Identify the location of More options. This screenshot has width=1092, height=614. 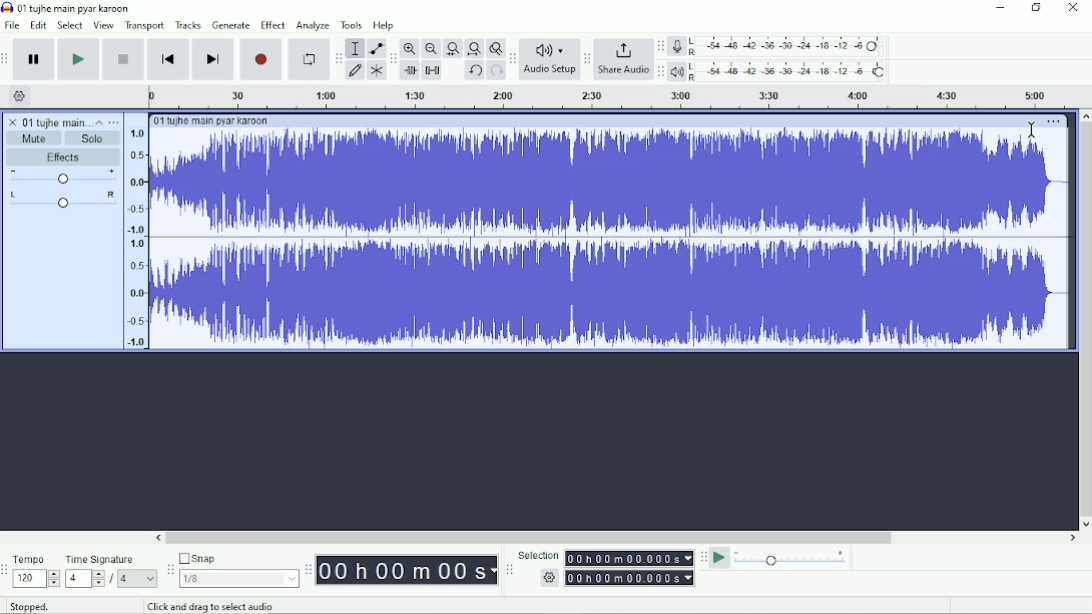
(1054, 121).